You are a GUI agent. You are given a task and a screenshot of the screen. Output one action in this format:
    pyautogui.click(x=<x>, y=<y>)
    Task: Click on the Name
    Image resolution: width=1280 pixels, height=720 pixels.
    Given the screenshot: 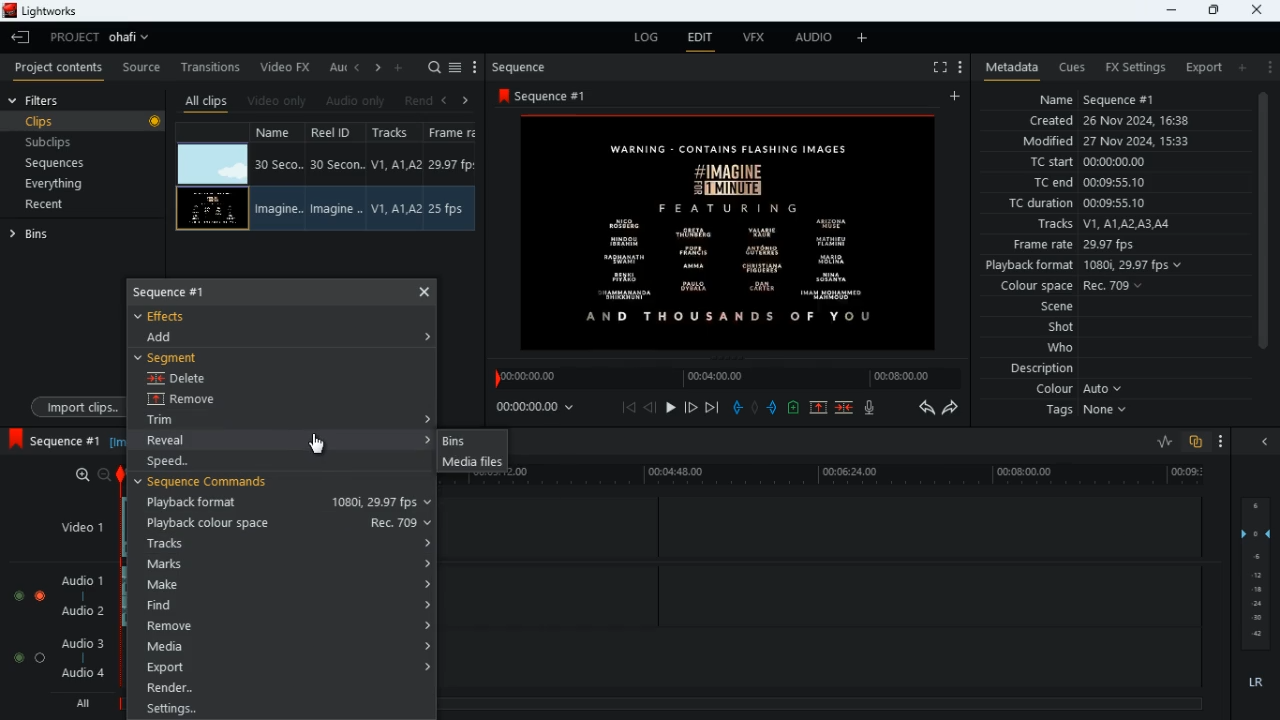 What is the action you would take?
    pyautogui.click(x=276, y=210)
    